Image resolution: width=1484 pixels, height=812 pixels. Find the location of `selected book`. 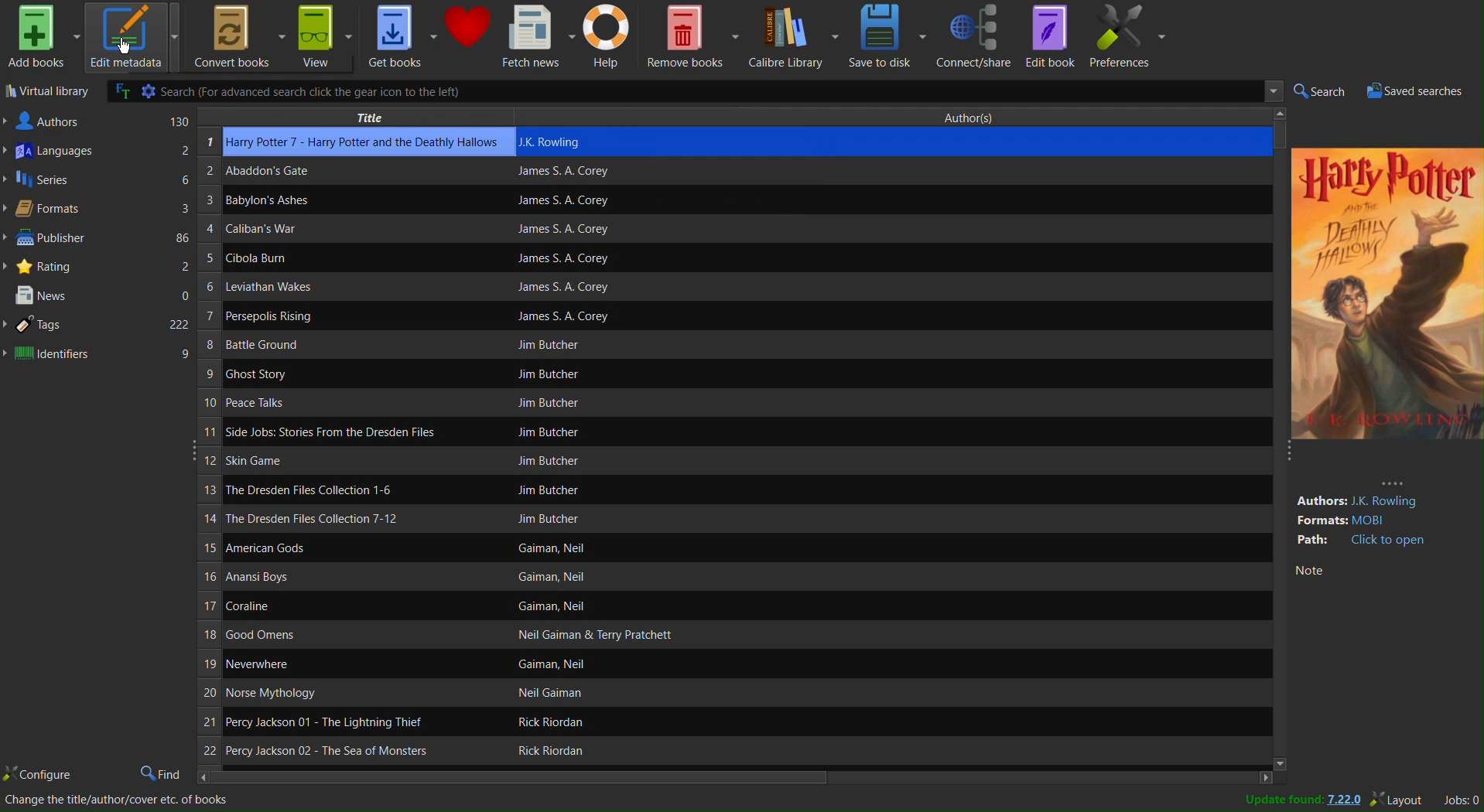

selected book is located at coordinates (368, 142).